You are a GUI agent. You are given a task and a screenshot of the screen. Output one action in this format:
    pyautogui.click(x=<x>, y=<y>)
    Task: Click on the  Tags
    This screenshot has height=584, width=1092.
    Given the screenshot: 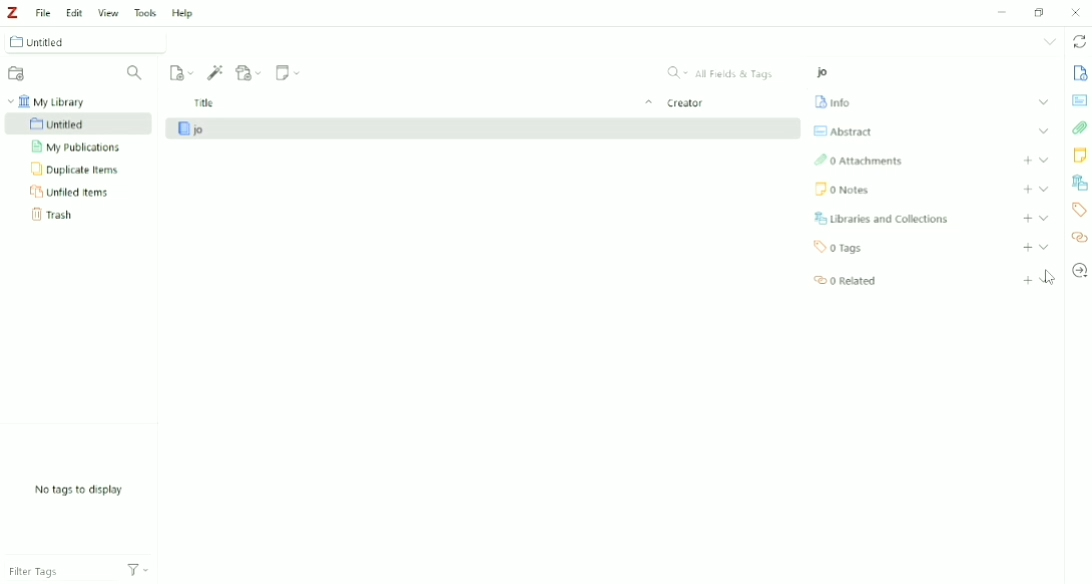 What is the action you would take?
    pyautogui.click(x=1080, y=210)
    